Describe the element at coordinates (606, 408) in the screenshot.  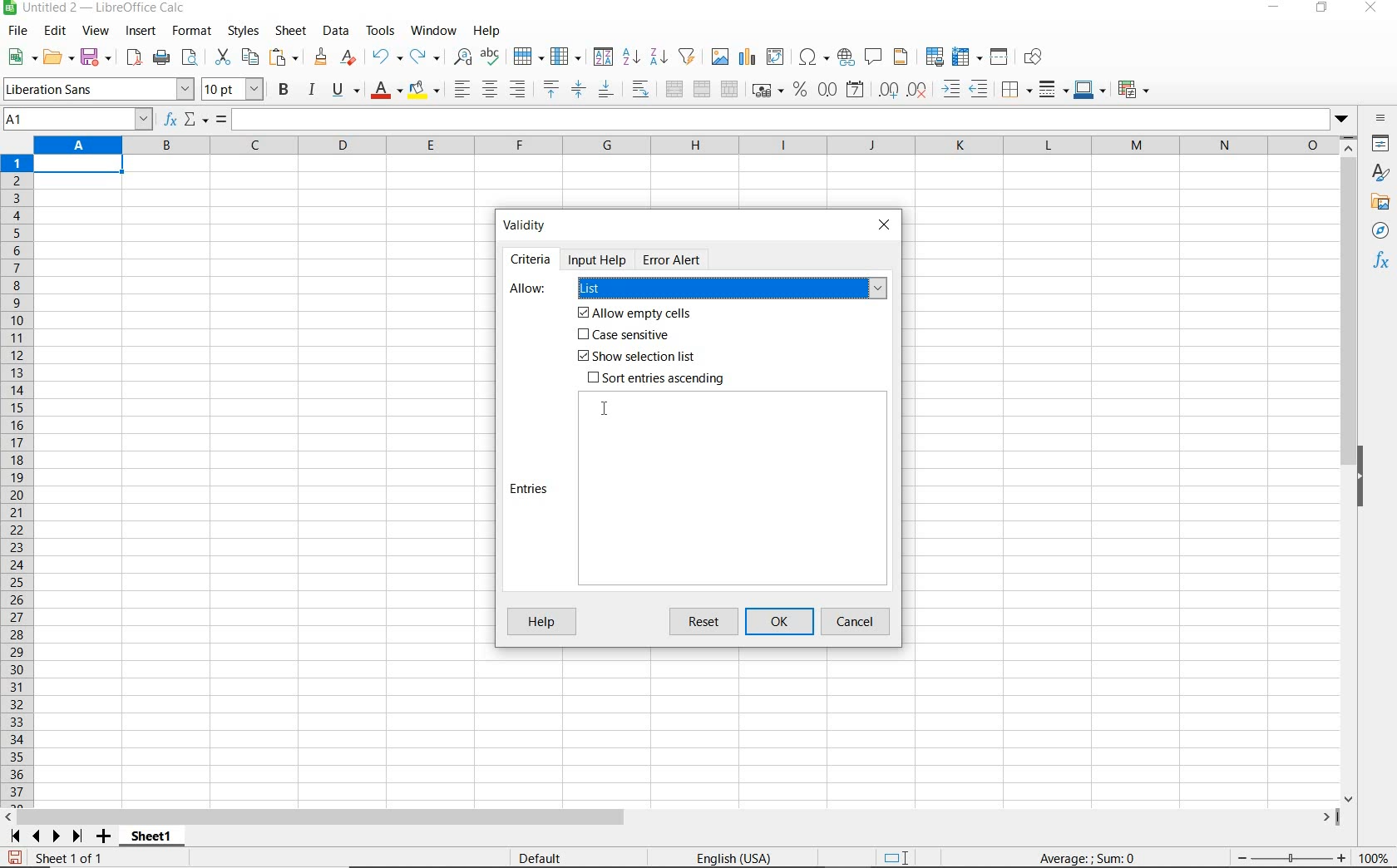
I see `cursor` at that location.